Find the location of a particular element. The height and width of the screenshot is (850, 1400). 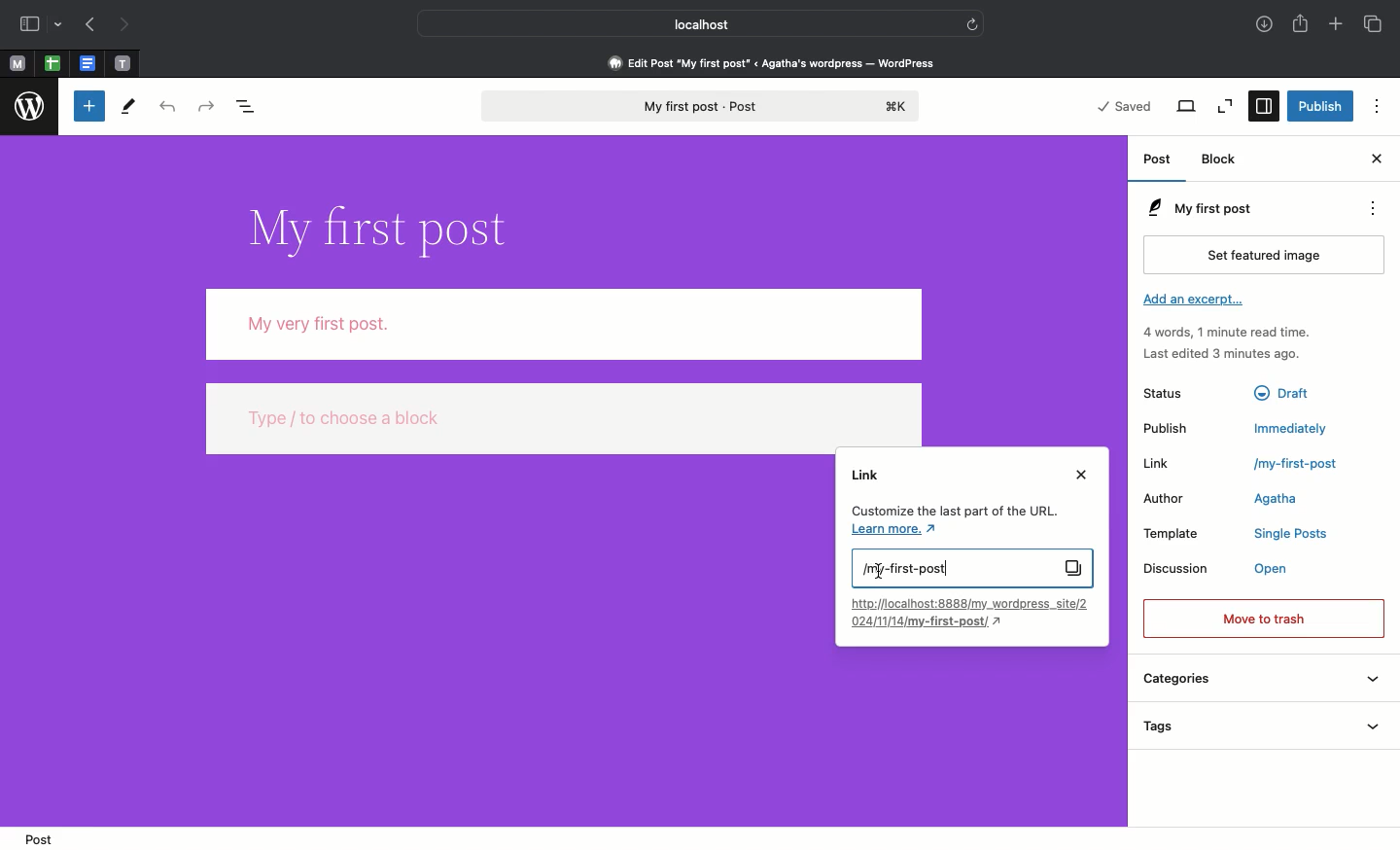

View is located at coordinates (1185, 108).